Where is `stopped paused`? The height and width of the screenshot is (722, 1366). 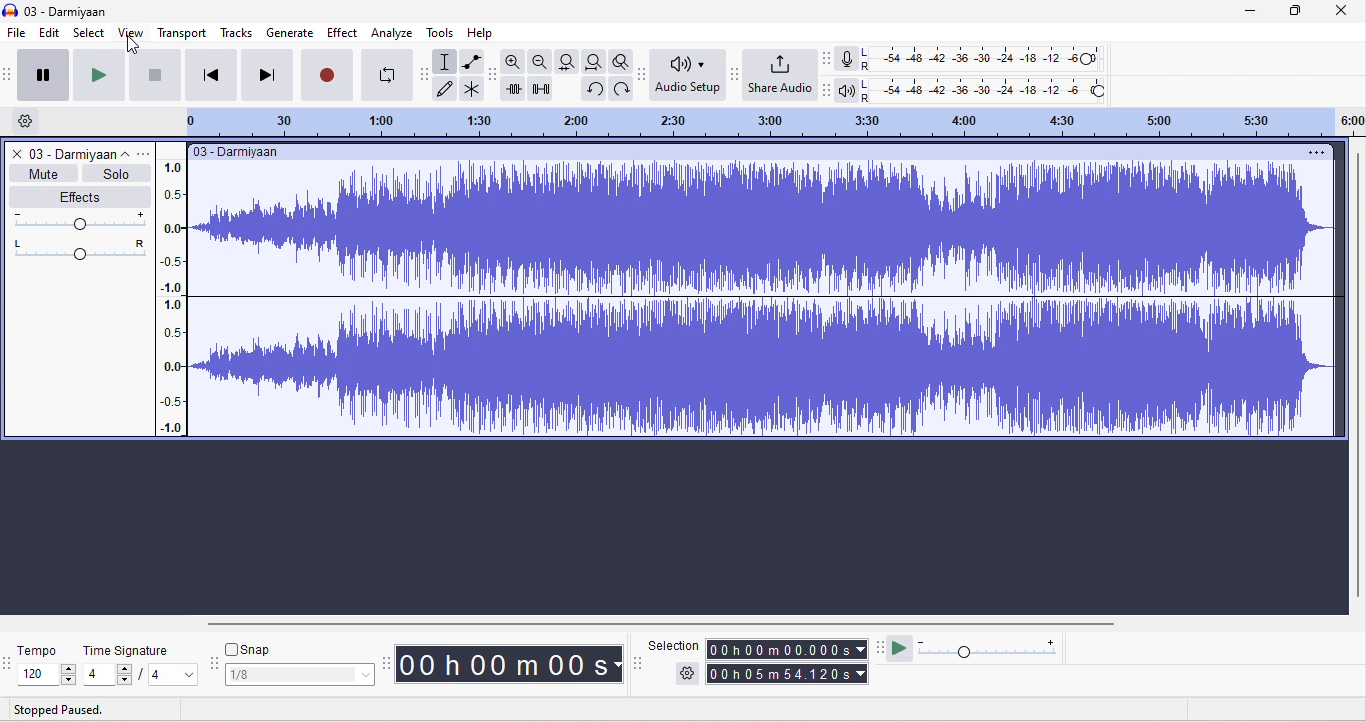 stopped paused is located at coordinates (53, 711).